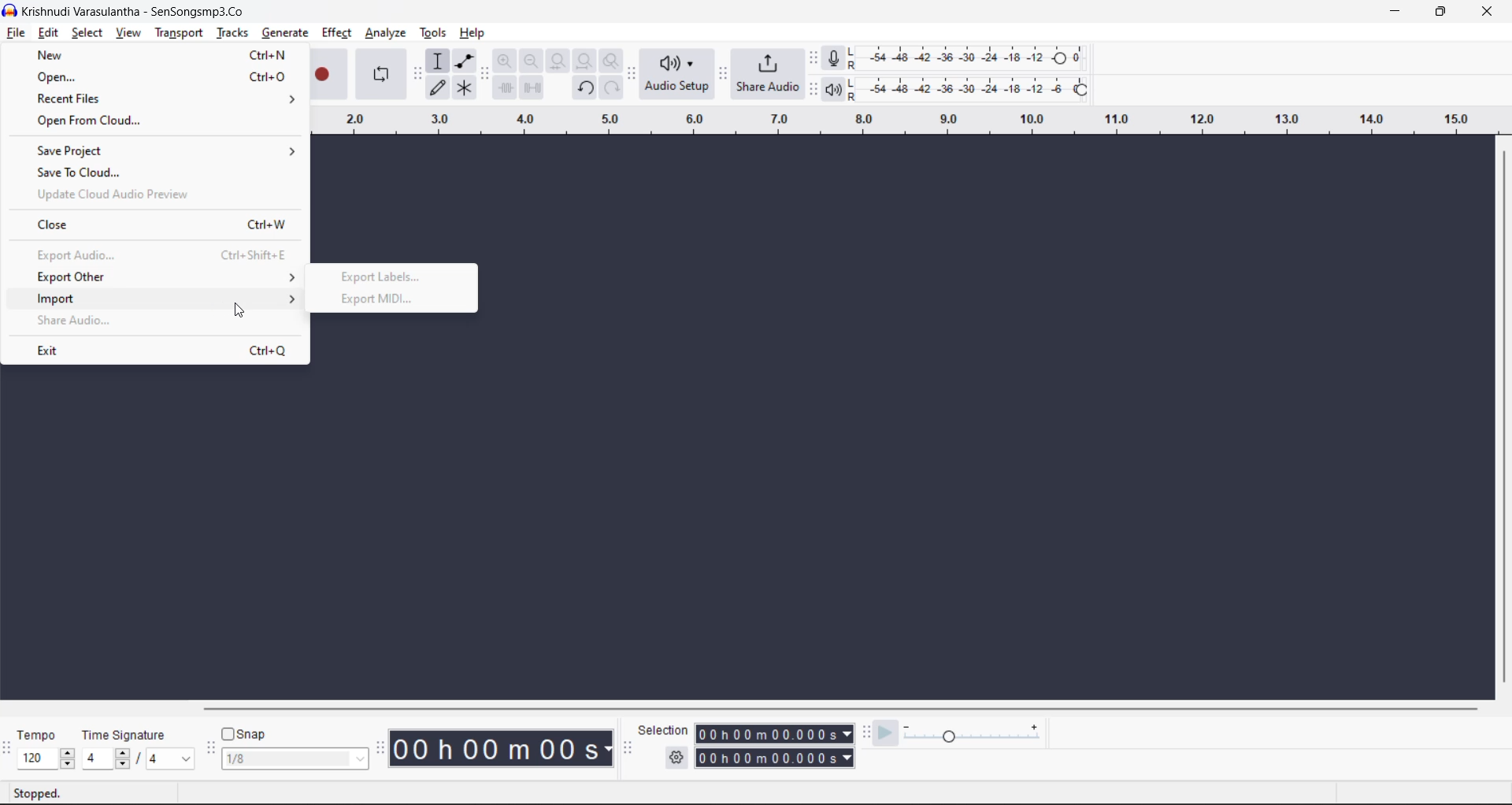 The width and height of the screenshot is (1512, 805). I want to click on tools toolbar, so click(417, 75).